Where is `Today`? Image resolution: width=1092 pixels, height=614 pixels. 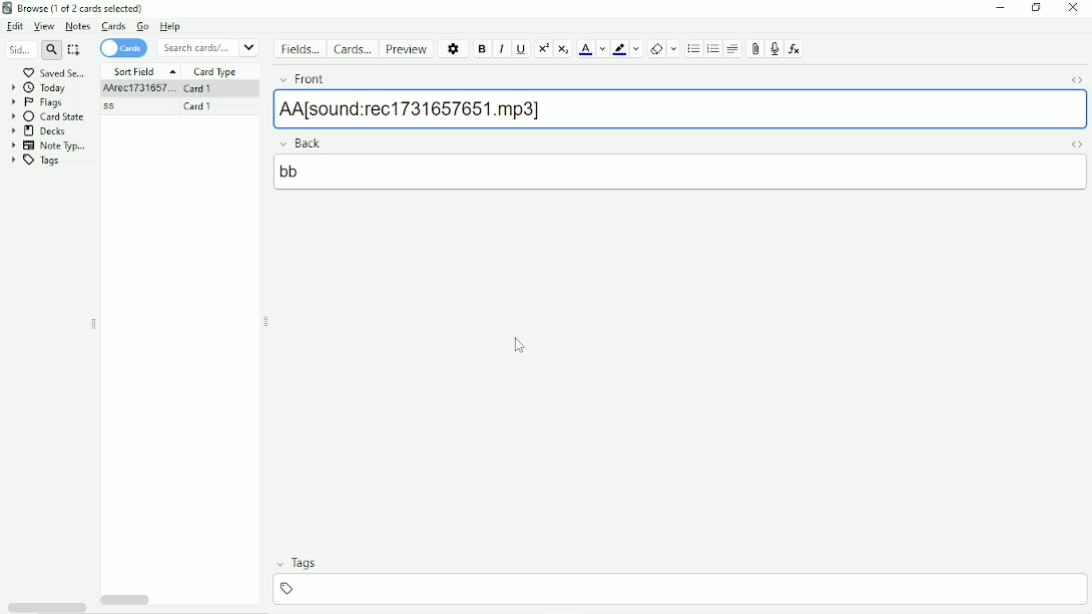 Today is located at coordinates (41, 89).